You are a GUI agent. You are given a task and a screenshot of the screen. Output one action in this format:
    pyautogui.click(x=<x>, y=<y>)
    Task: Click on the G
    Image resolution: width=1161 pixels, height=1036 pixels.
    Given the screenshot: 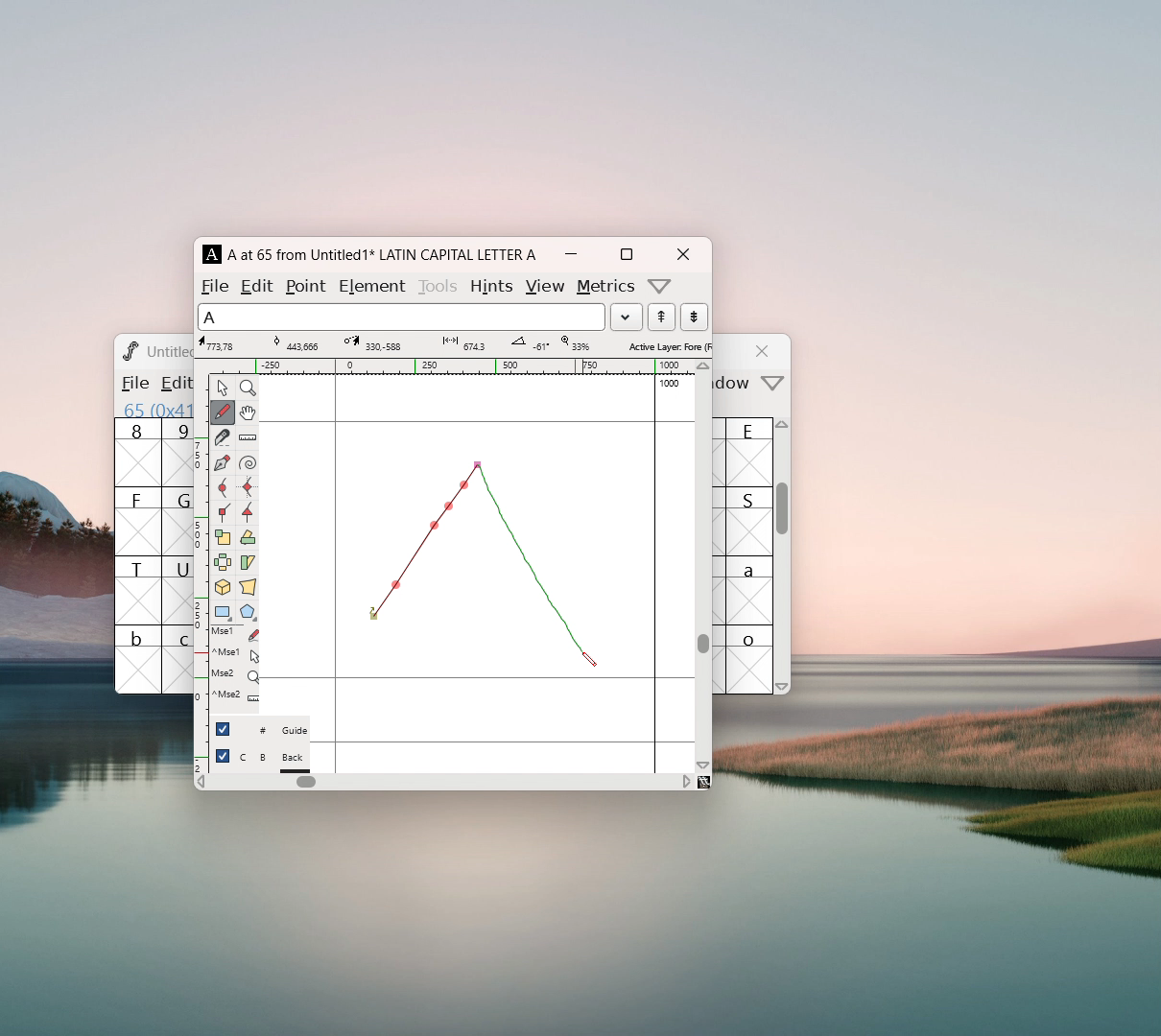 What is the action you would take?
    pyautogui.click(x=177, y=521)
    